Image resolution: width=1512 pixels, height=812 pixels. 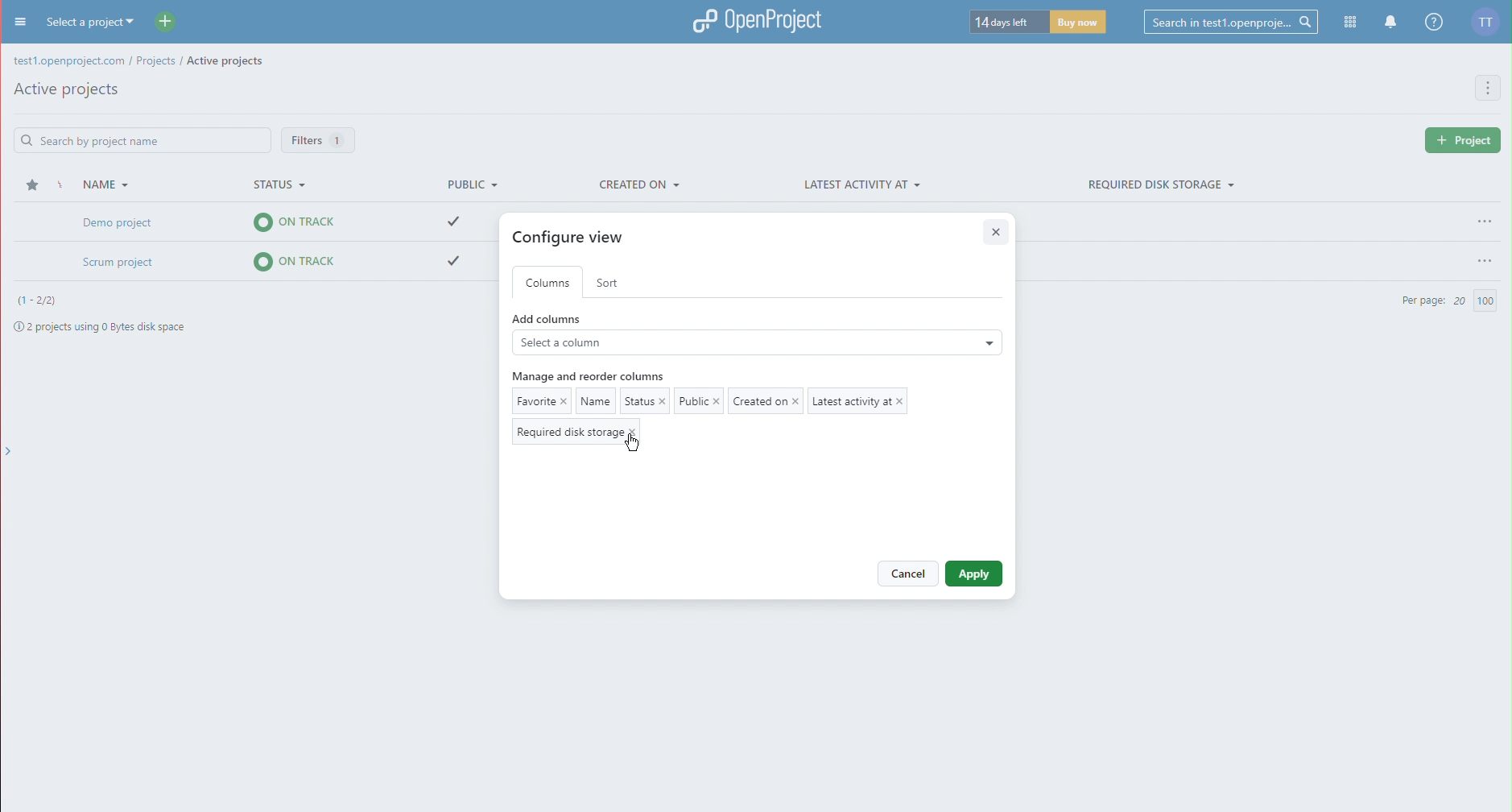 What do you see at coordinates (1448, 300) in the screenshot?
I see `Per Page` at bounding box center [1448, 300].